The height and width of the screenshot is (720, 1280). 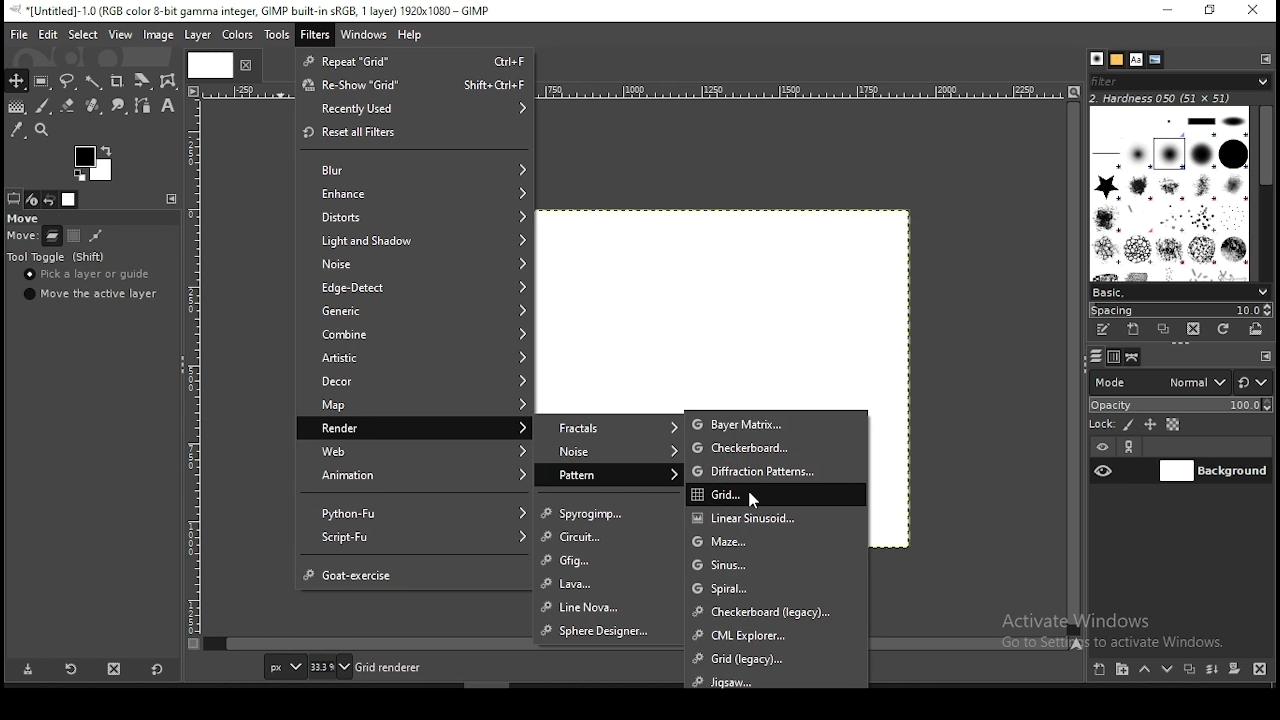 I want to click on close window, so click(x=1255, y=12).